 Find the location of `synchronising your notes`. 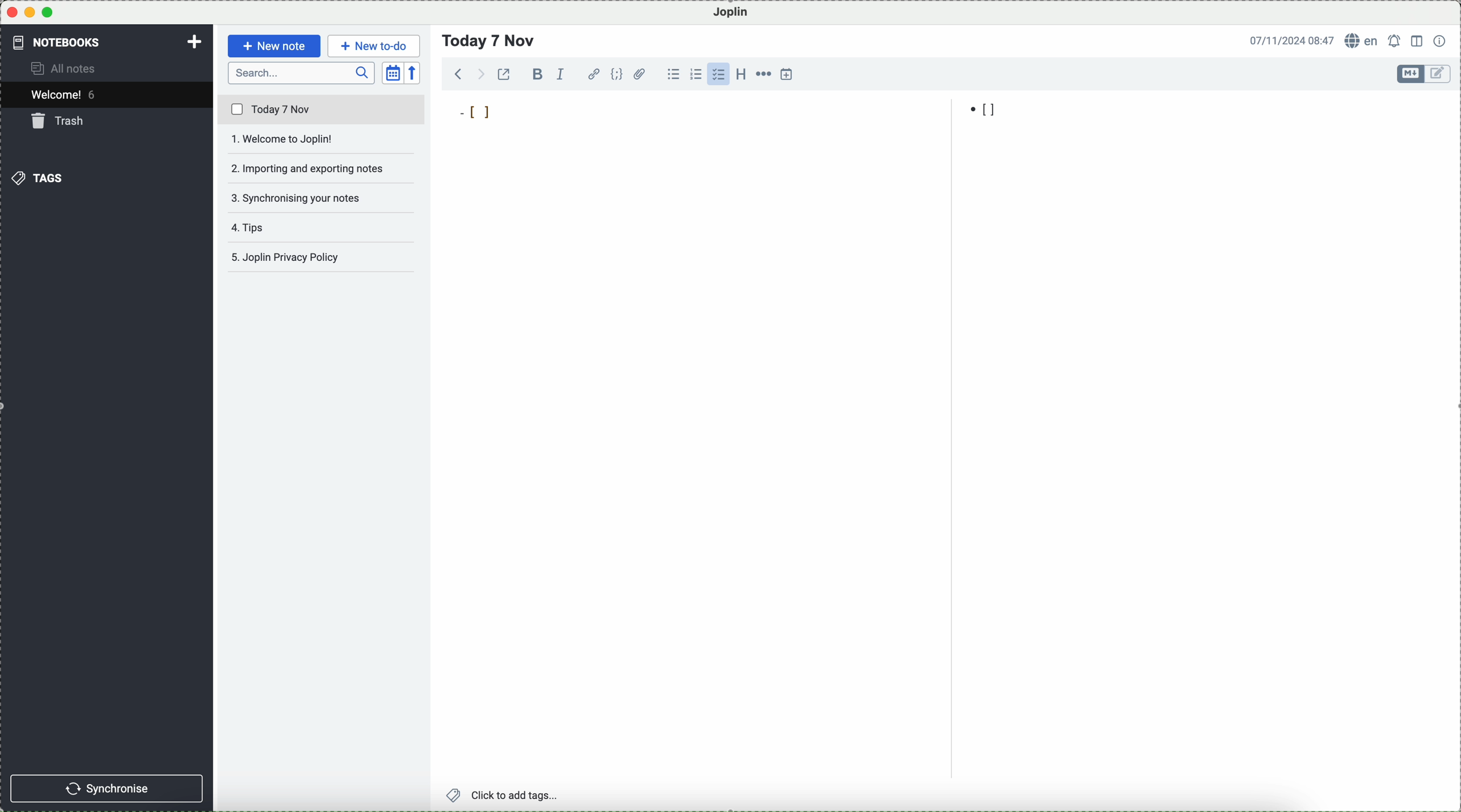

synchronising your notes is located at coordinates (322, 200).